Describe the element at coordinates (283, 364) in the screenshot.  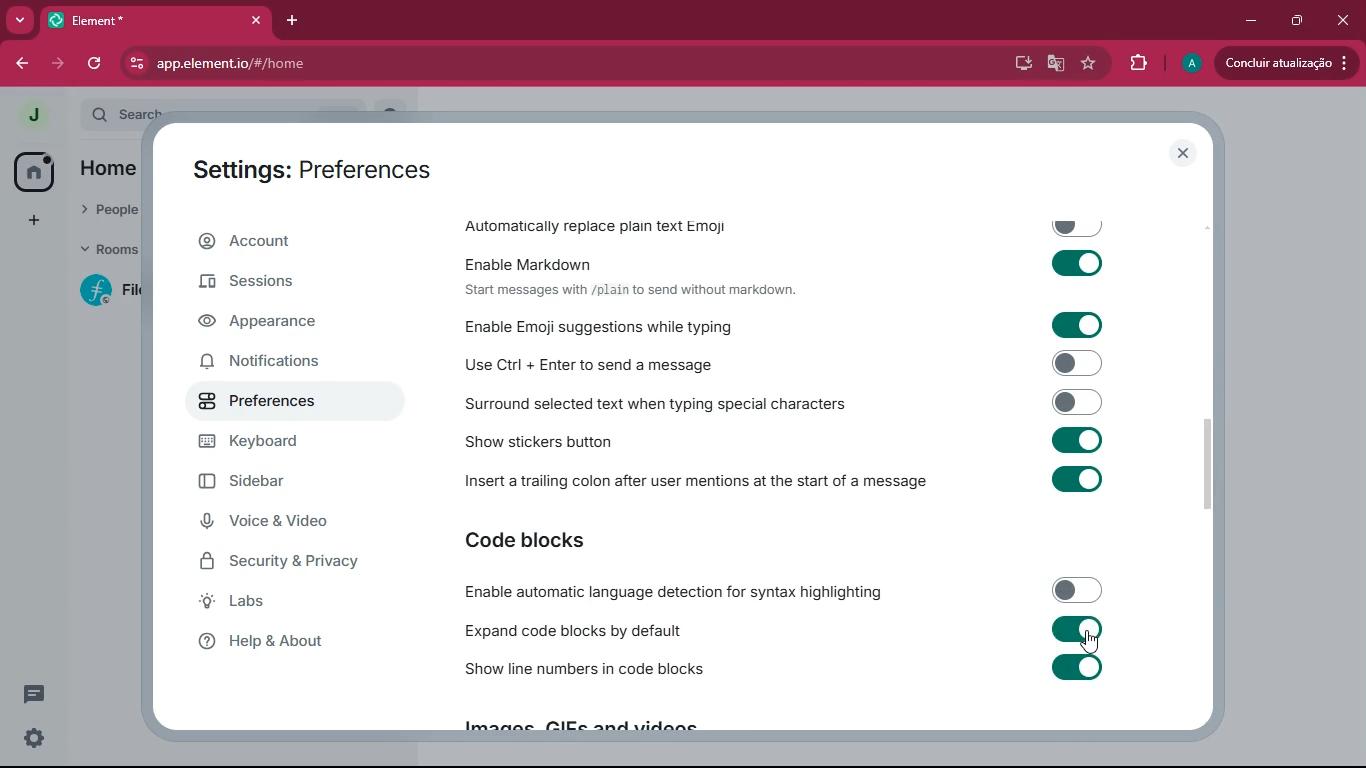
I see `notifications` at that location.